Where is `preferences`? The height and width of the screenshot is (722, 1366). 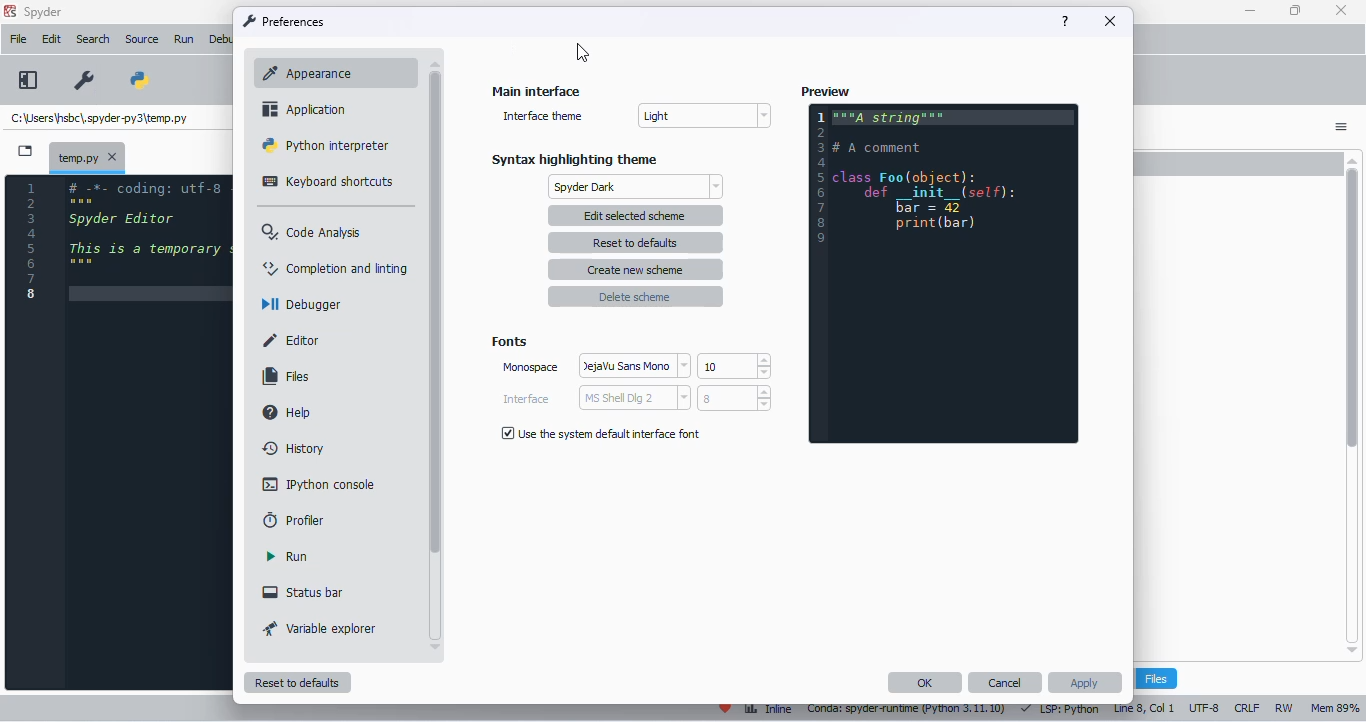
preferences is located at coordinates (83, 81).